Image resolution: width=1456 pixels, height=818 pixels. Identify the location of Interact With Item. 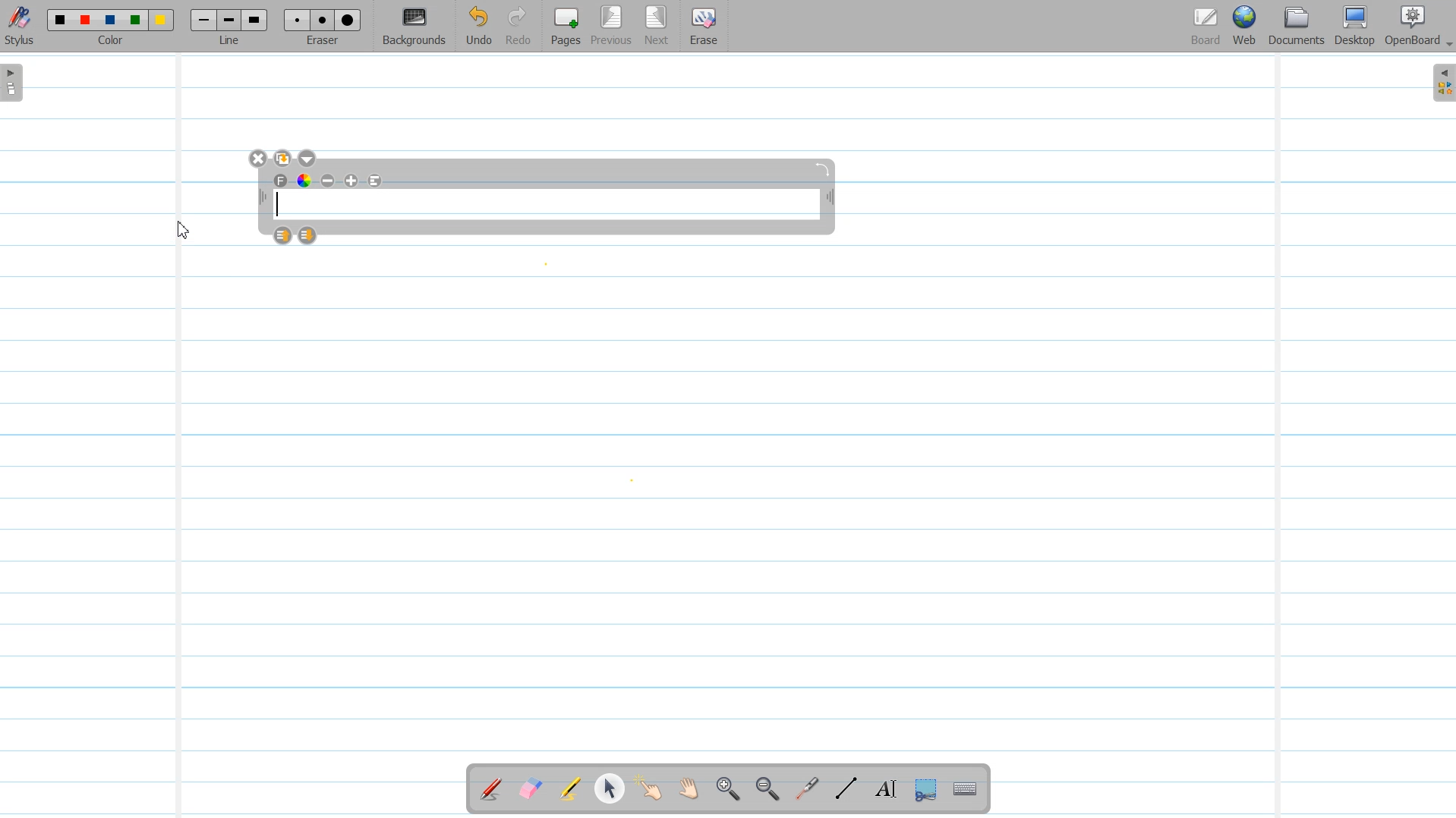
(649, 790).